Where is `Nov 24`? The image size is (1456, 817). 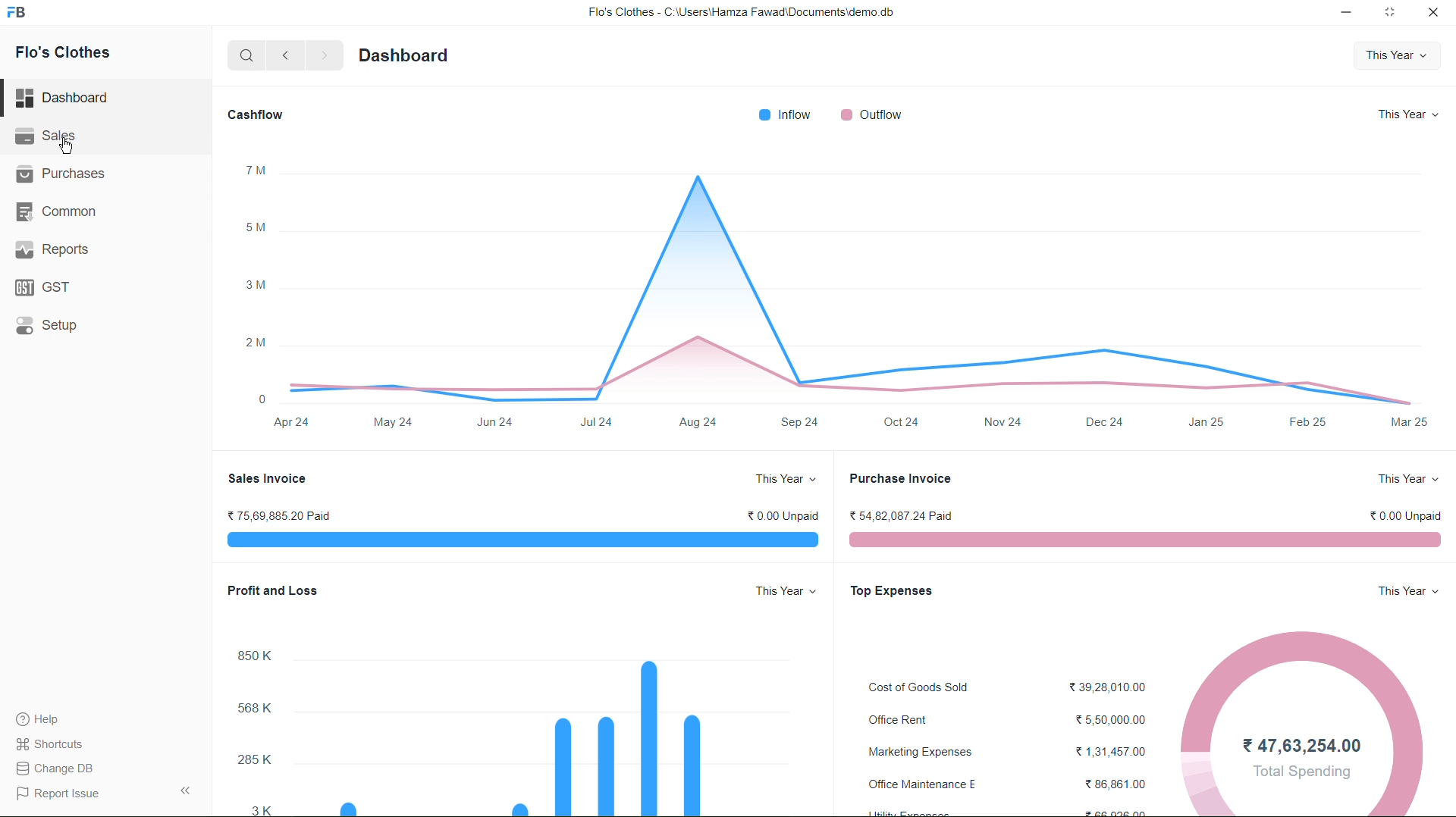
Nov 24 is located at coordinates (1003, 422).